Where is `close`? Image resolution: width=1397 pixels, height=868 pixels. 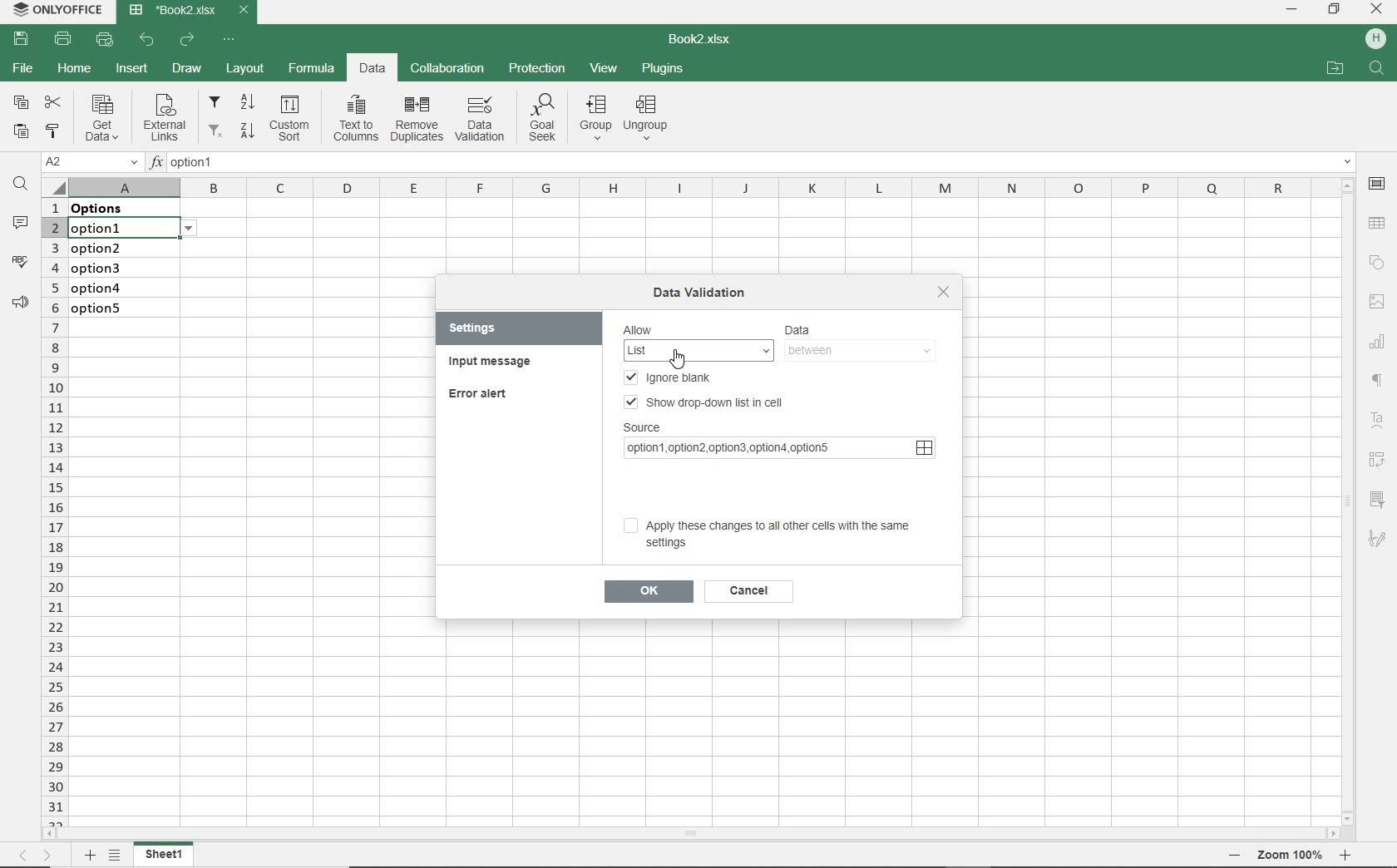 close is located at coordinates (944, 292).